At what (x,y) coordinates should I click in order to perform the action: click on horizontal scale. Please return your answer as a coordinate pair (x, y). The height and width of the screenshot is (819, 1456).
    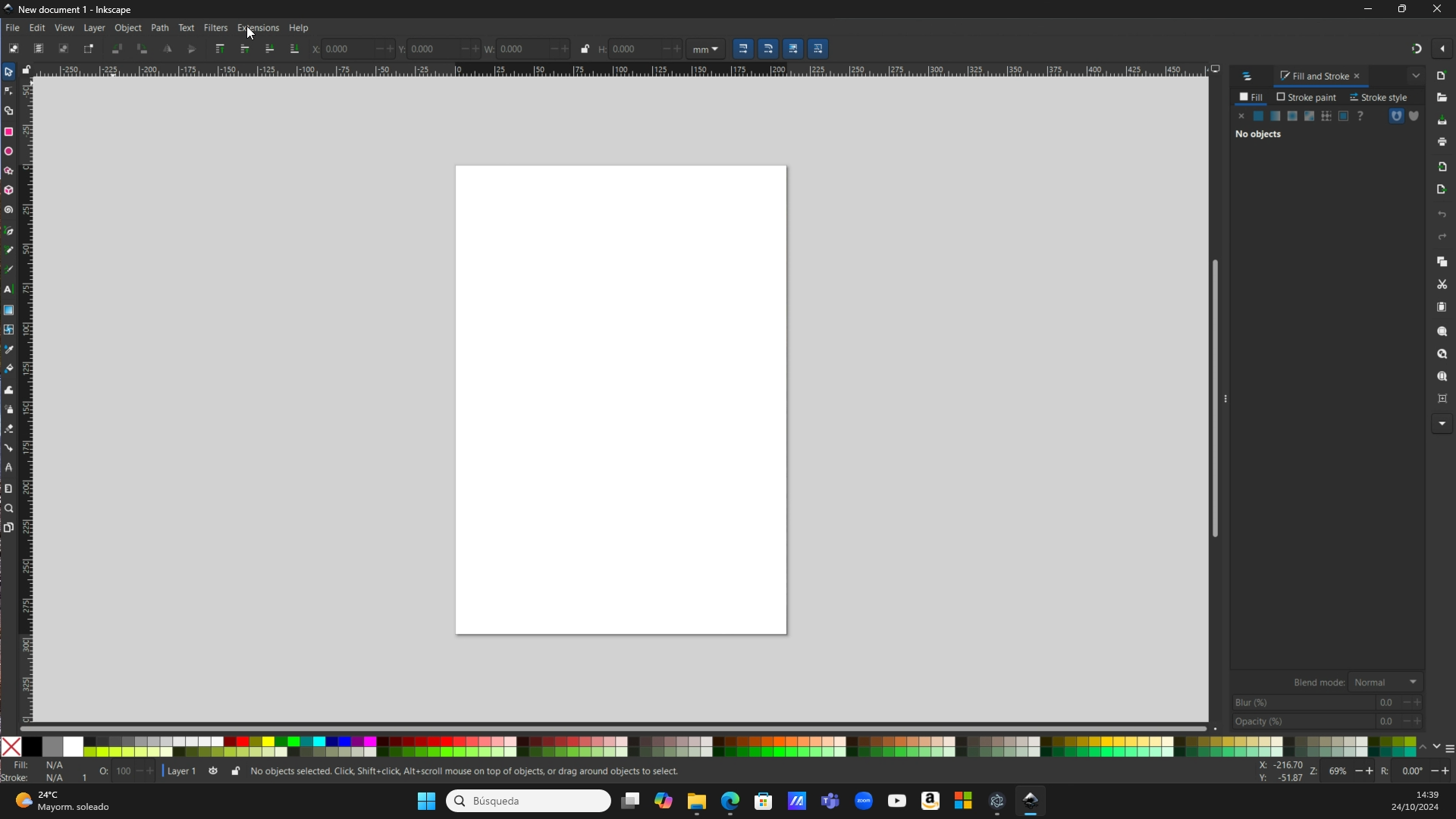
    Looking at the image, I should click on (631, 69).